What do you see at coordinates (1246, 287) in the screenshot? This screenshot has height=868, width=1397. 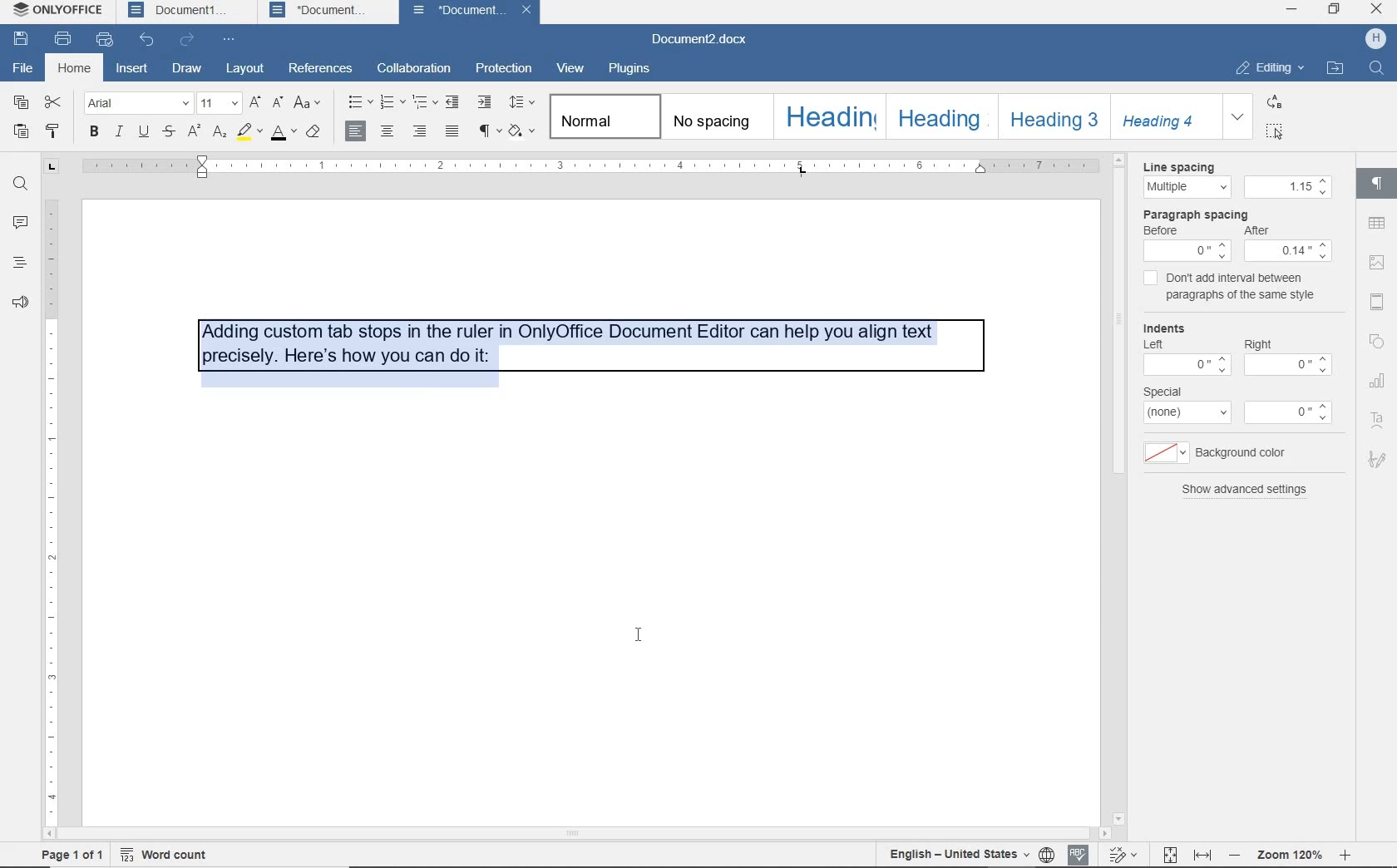 I see `don't add interval between paragraphs of the same style` at bounding box center [1246, 287].